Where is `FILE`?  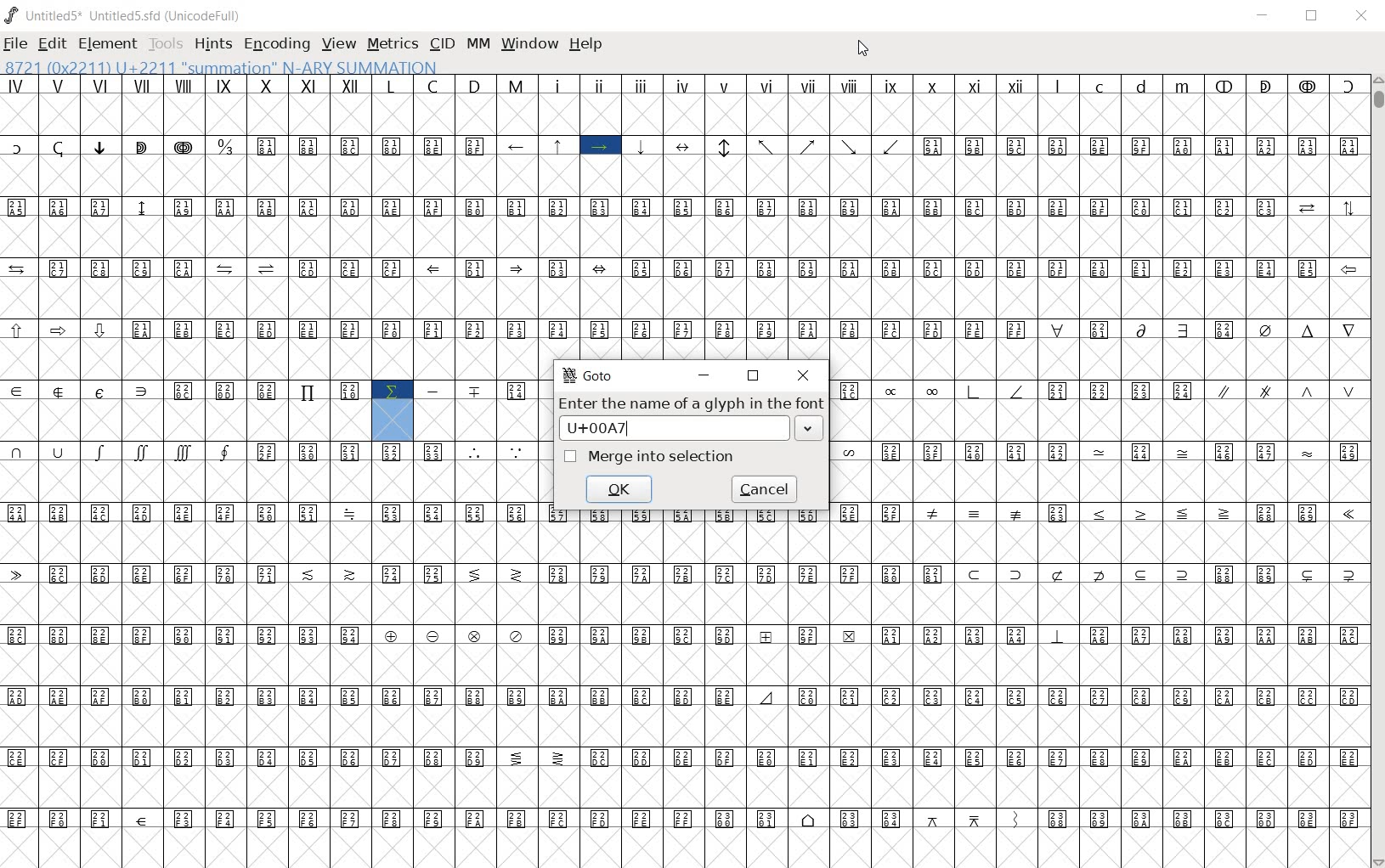
FILE is located at coordinates (17, 44).